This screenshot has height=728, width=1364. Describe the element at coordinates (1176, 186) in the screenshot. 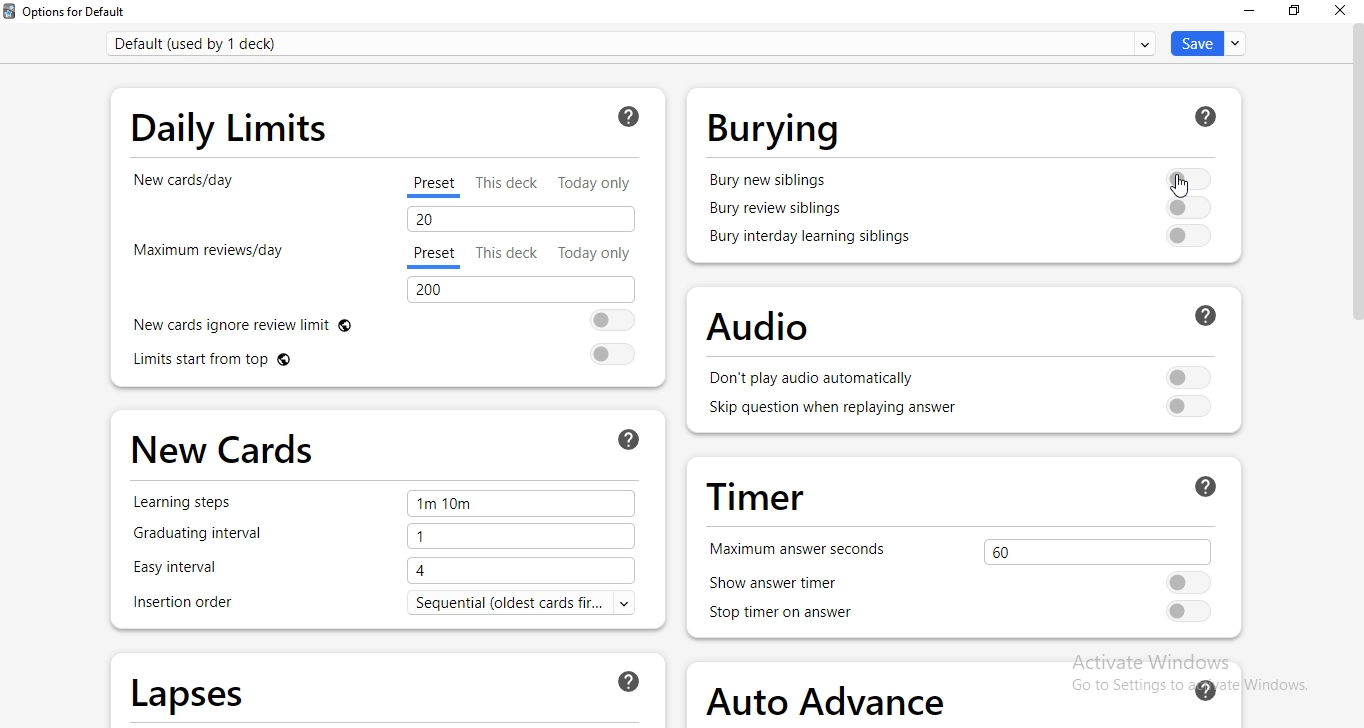

I see `cursor` at that location.